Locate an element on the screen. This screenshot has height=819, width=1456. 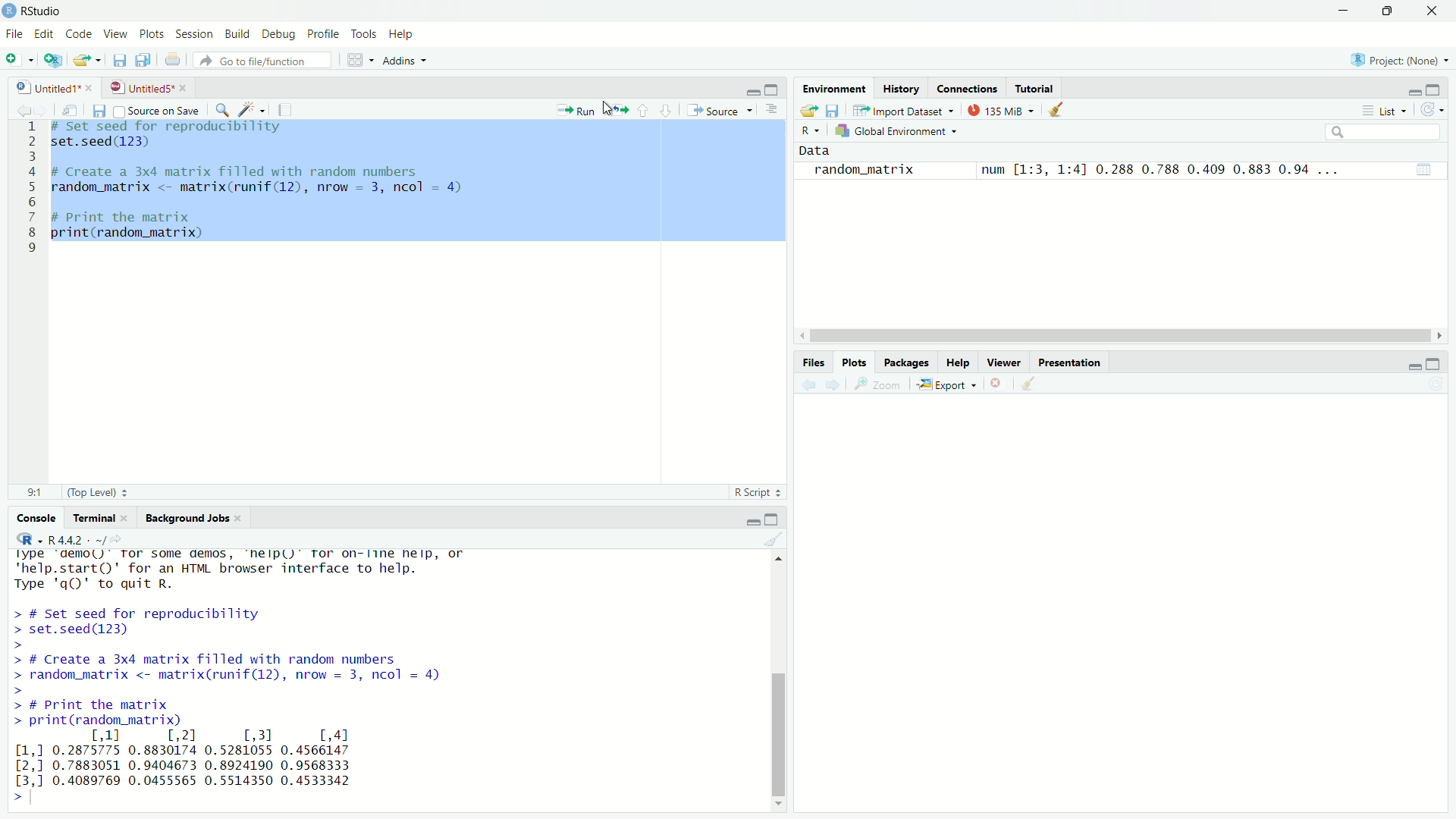
search is located at coordinates (224, 107).